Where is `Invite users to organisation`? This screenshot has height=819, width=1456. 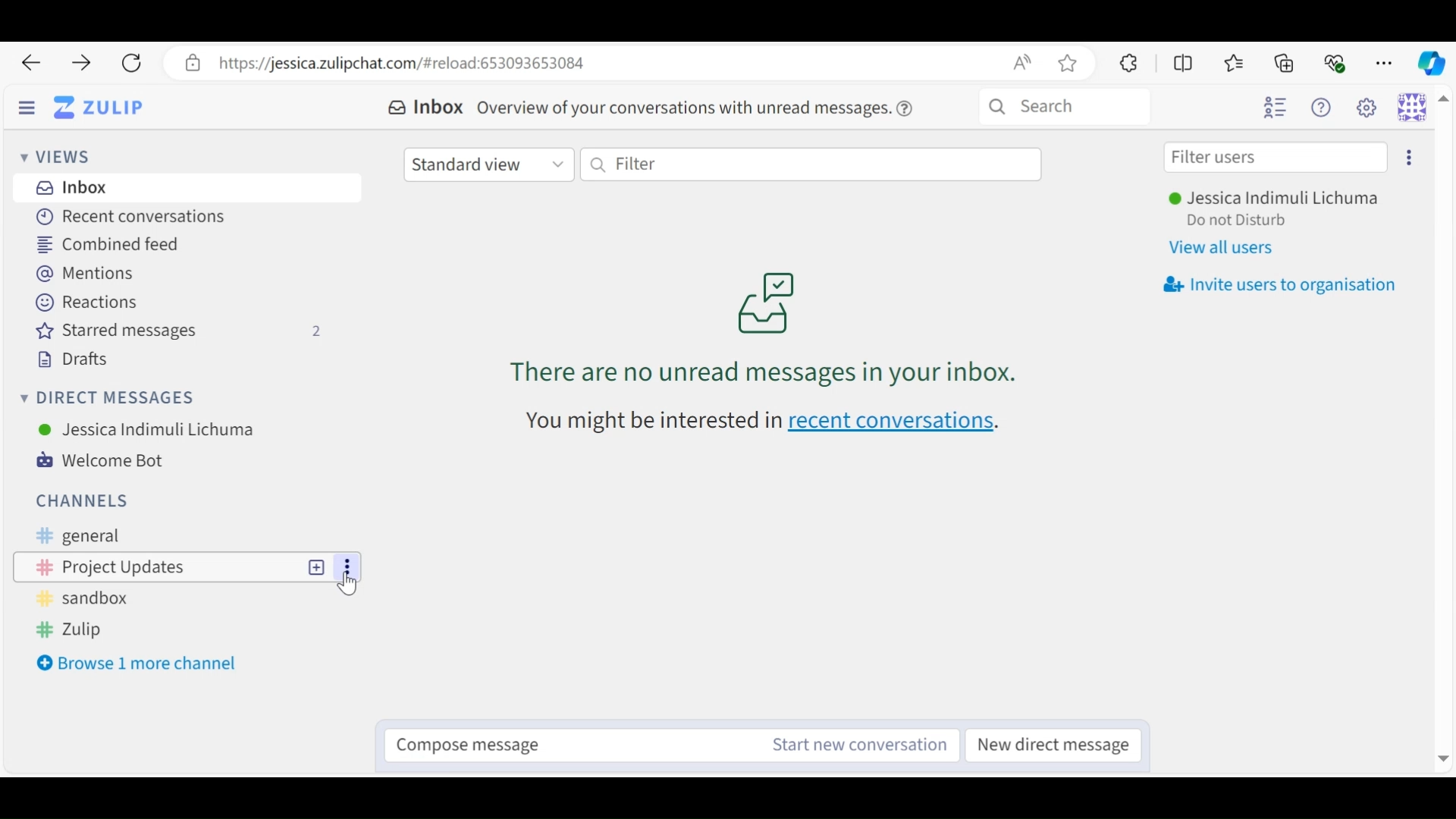 Invite users to organisation is located at coordinates (1279, 285).